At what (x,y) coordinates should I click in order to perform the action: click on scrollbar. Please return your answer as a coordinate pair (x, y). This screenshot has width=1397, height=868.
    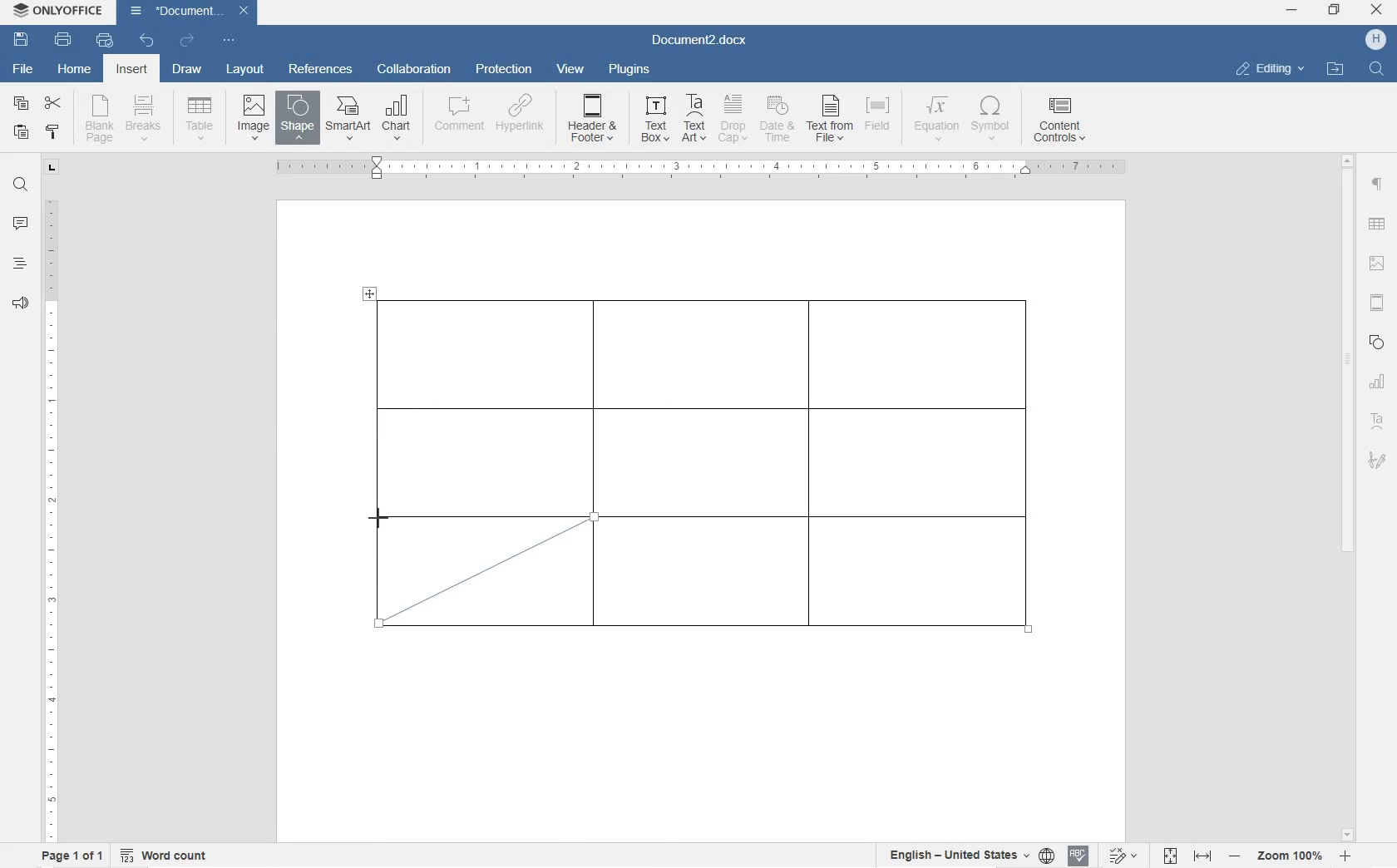
    Looking at the image, I should click on (1348, 496).